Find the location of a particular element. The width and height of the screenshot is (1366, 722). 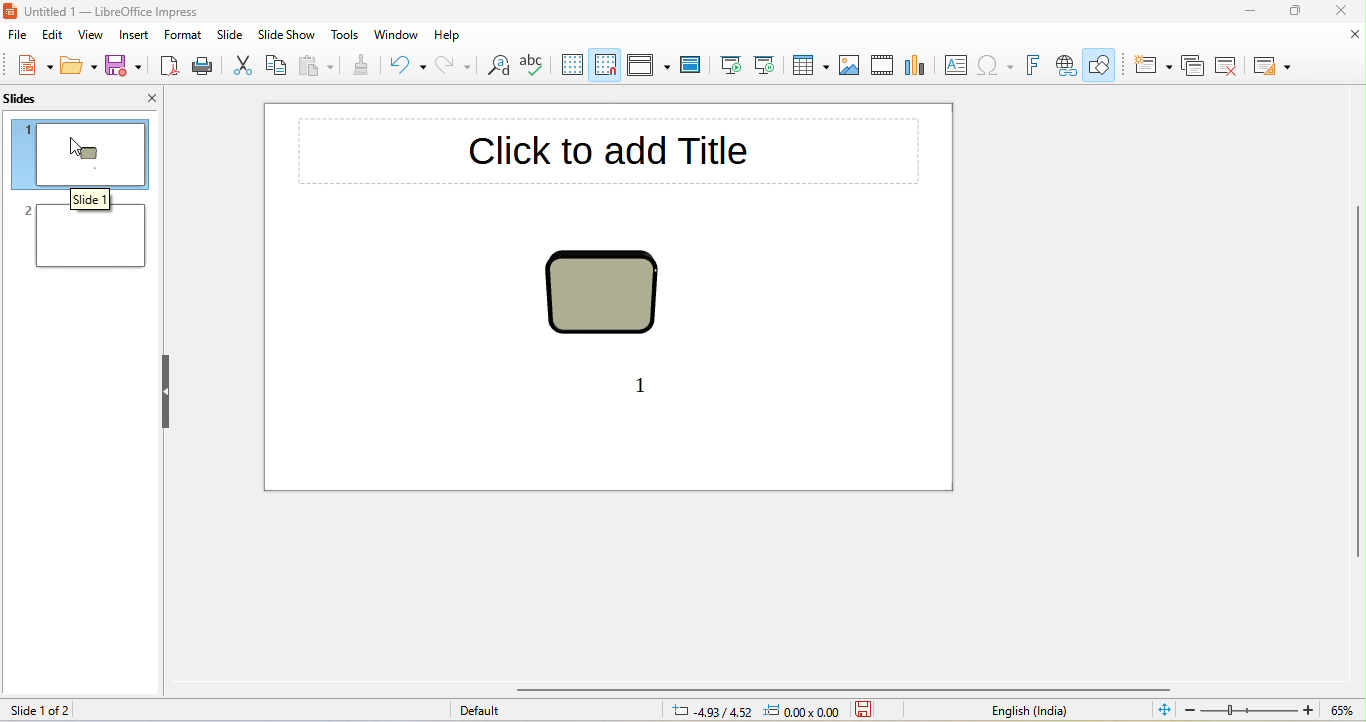

snap to grid is located at coordinates (607, 65).